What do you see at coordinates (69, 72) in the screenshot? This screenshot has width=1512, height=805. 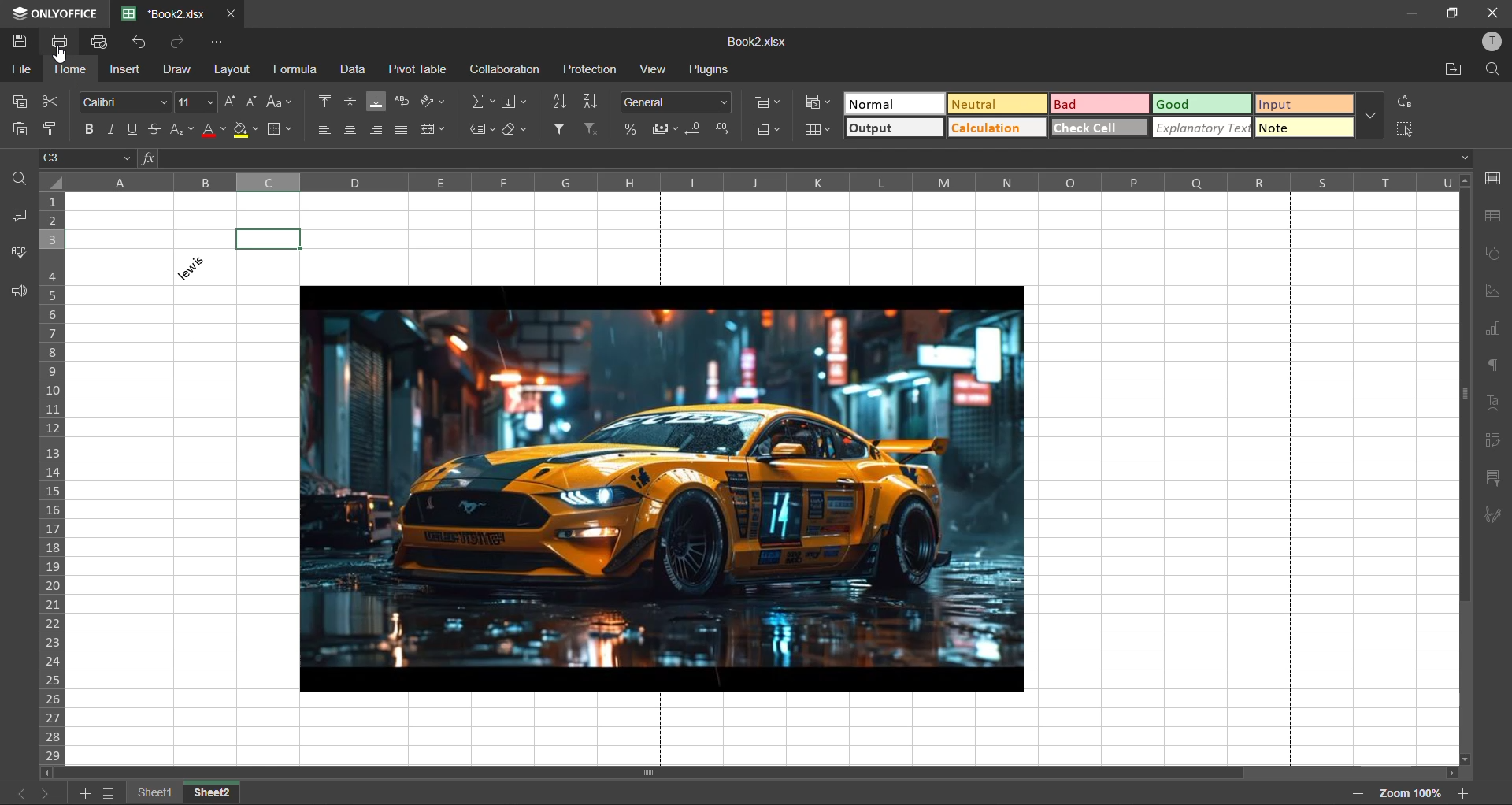 I see `home` at bounding box center [69, 72].